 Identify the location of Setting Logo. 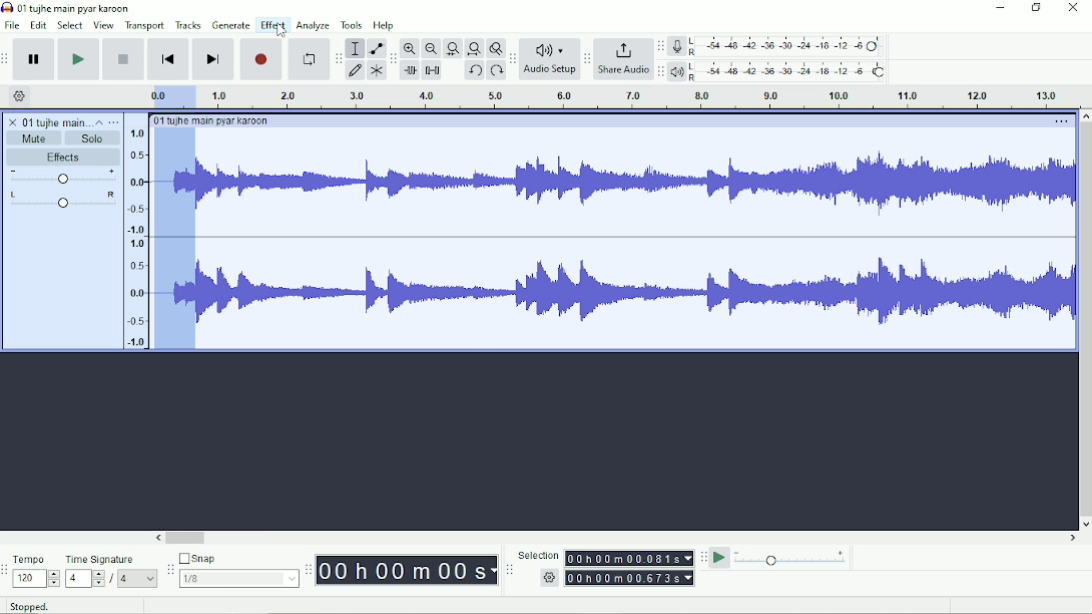
(548, 580).